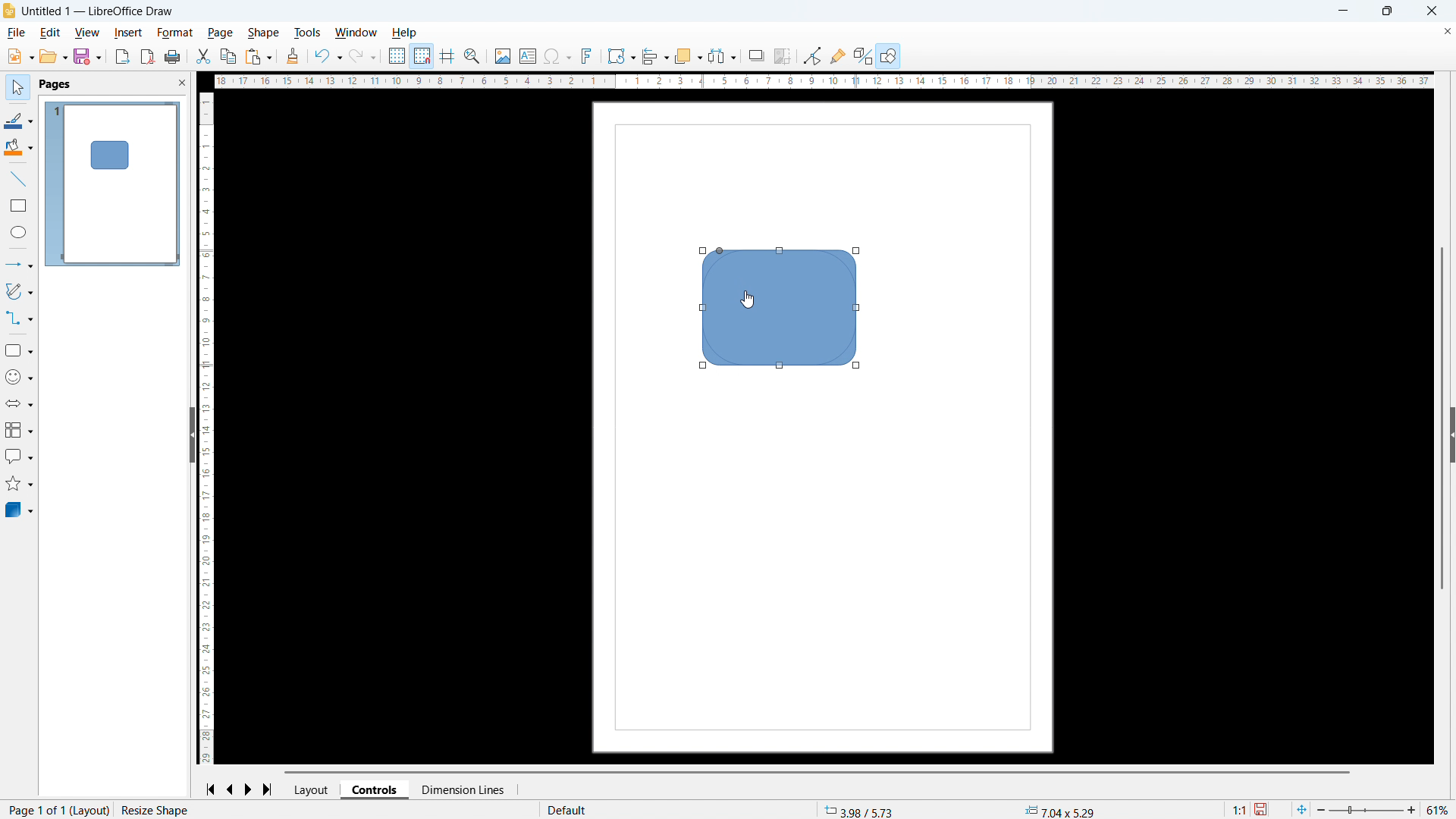  I want to click on Vertical scroll bar , so click(1442, 418).